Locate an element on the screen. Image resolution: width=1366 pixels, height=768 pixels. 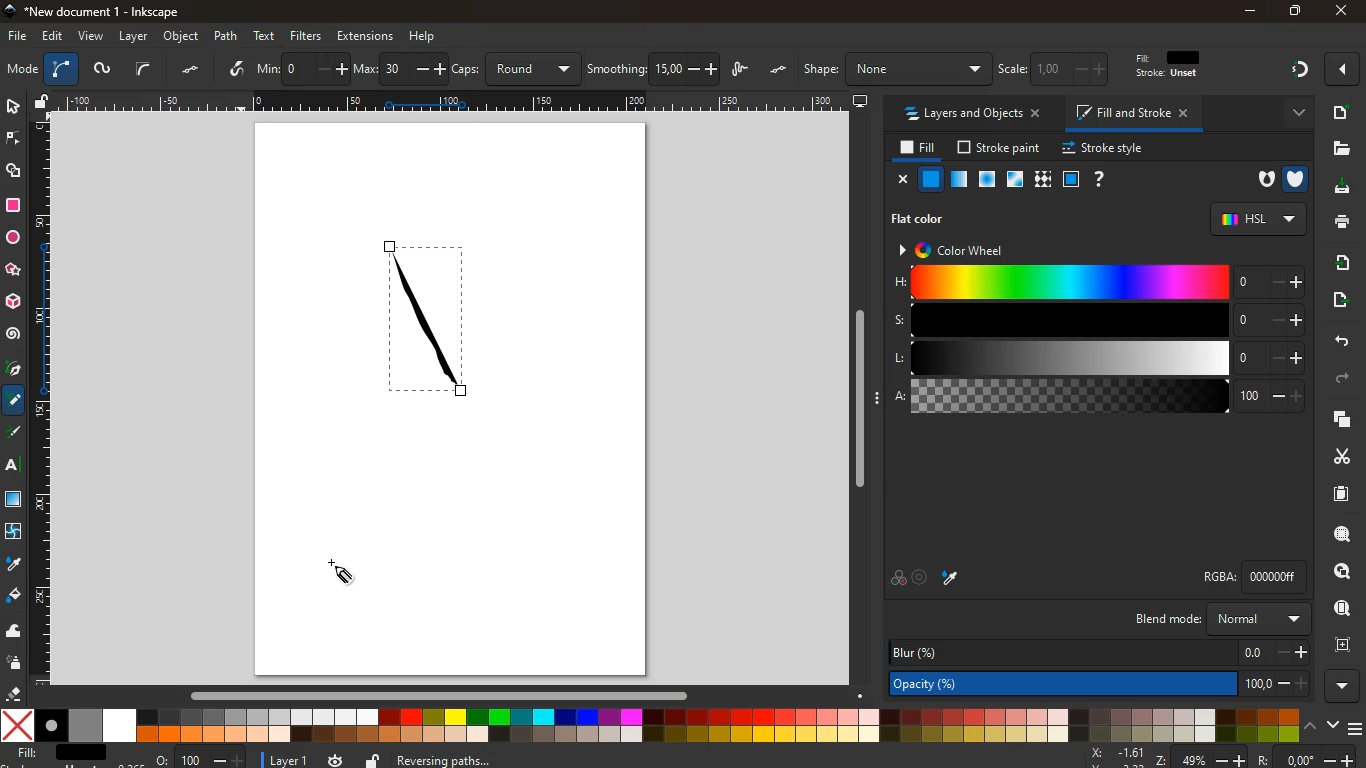
Scale is located at coordinates (454, 100).